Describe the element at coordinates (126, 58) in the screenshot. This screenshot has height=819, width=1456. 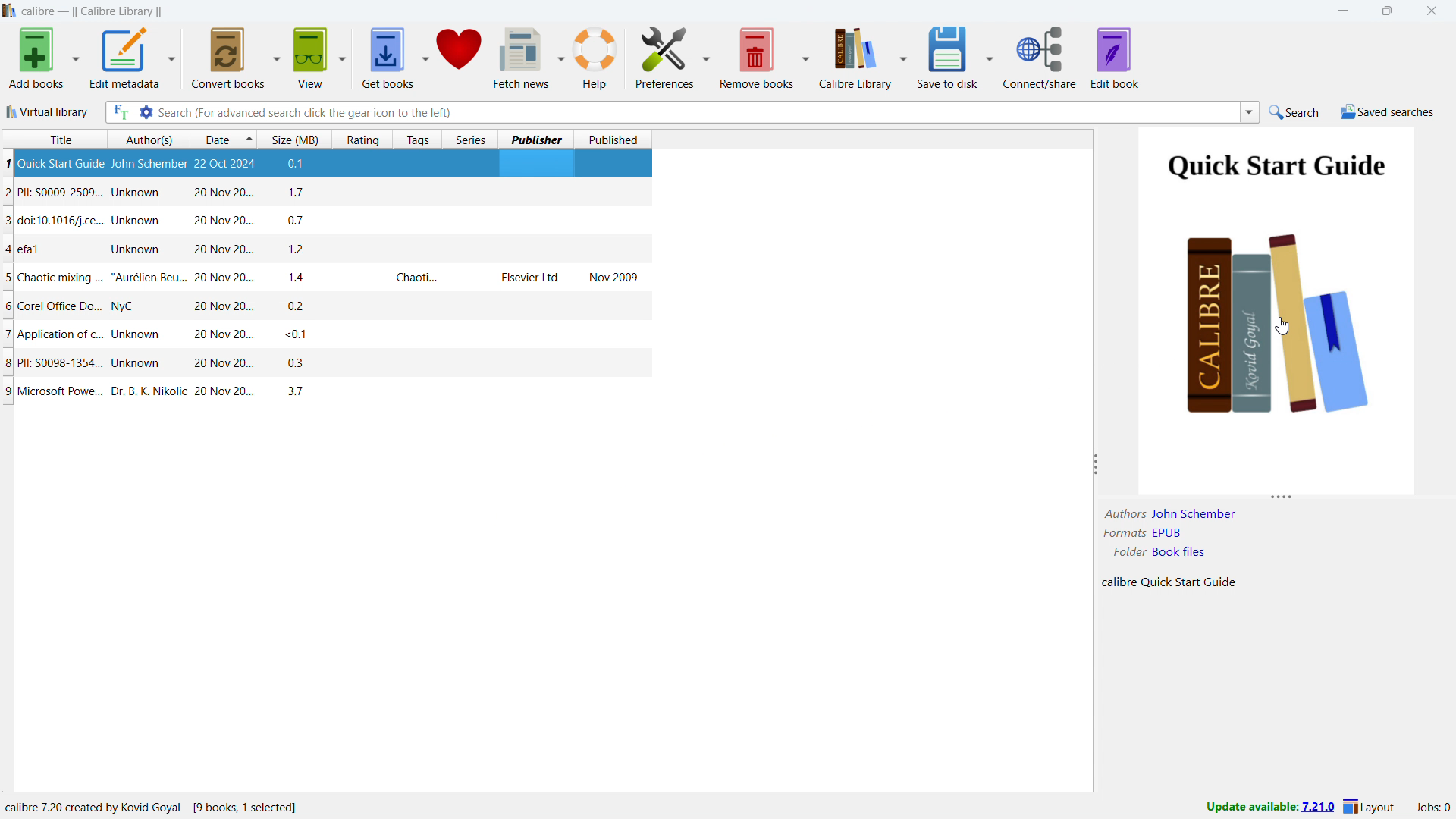
I see `edit metadata` at that location.